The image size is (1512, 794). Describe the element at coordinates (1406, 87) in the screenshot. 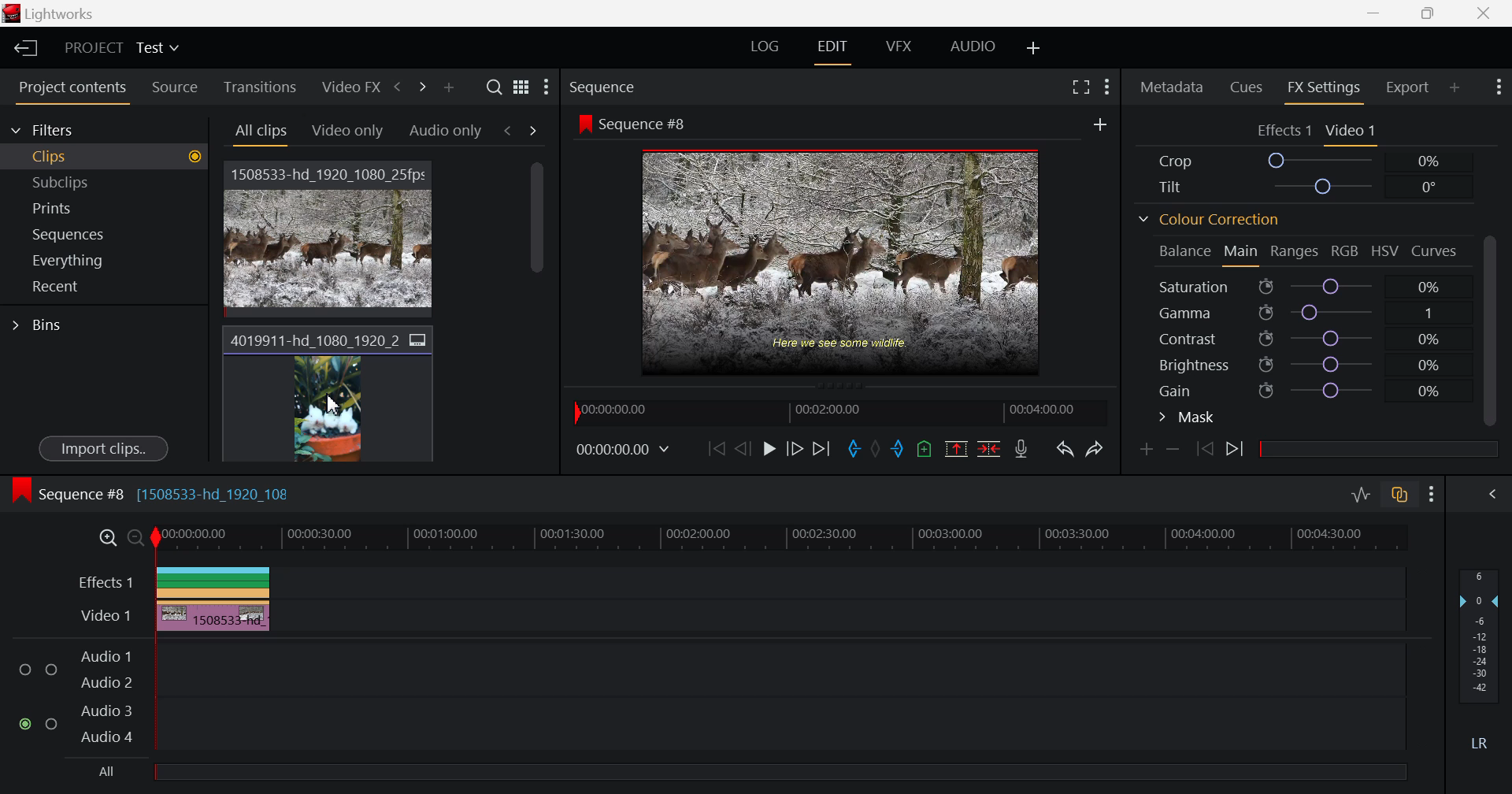

I see `Export Tab` at that location.